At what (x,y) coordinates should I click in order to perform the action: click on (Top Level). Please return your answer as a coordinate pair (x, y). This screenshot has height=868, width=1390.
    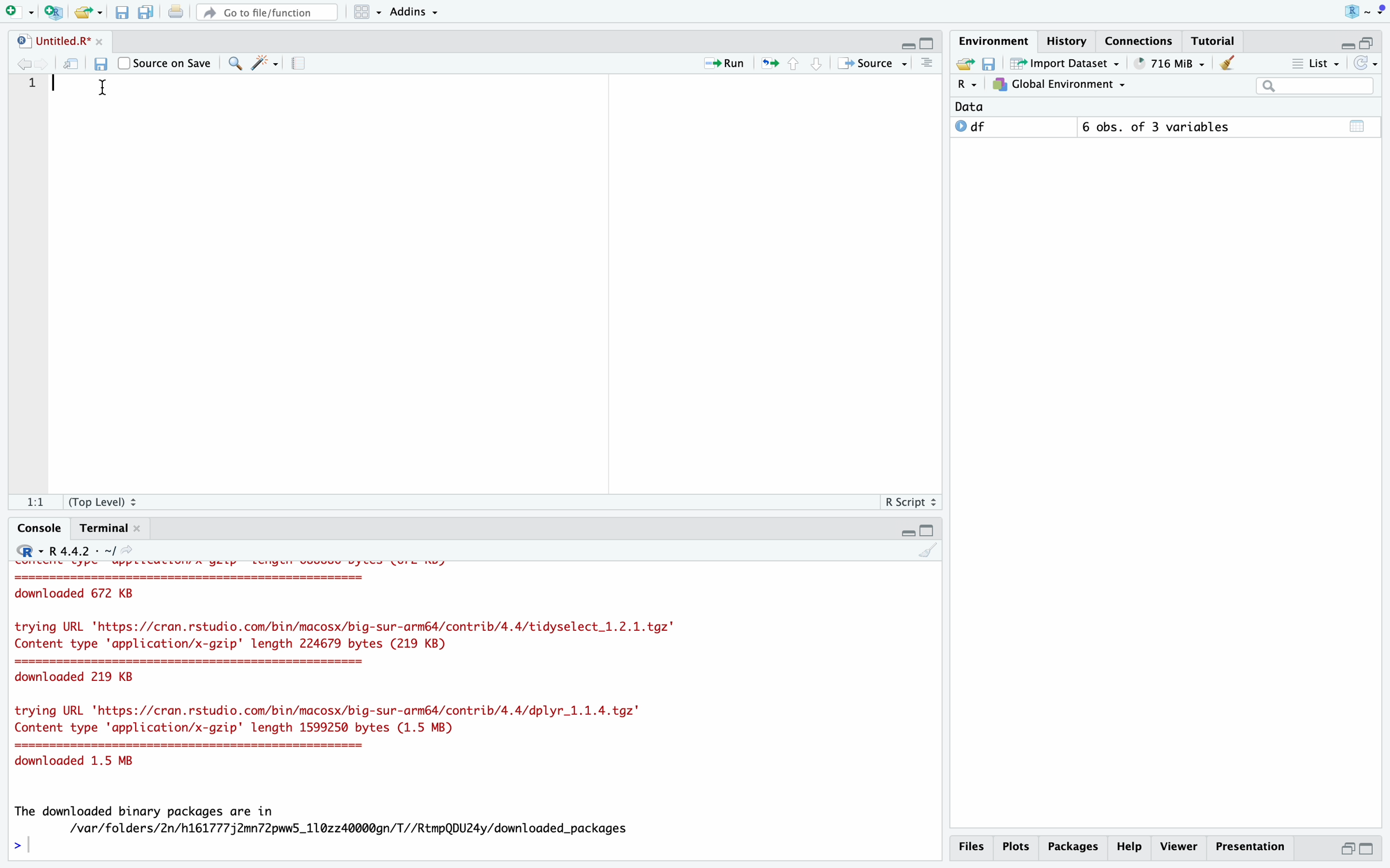
    Looking at the image, I should click on (105, 501).